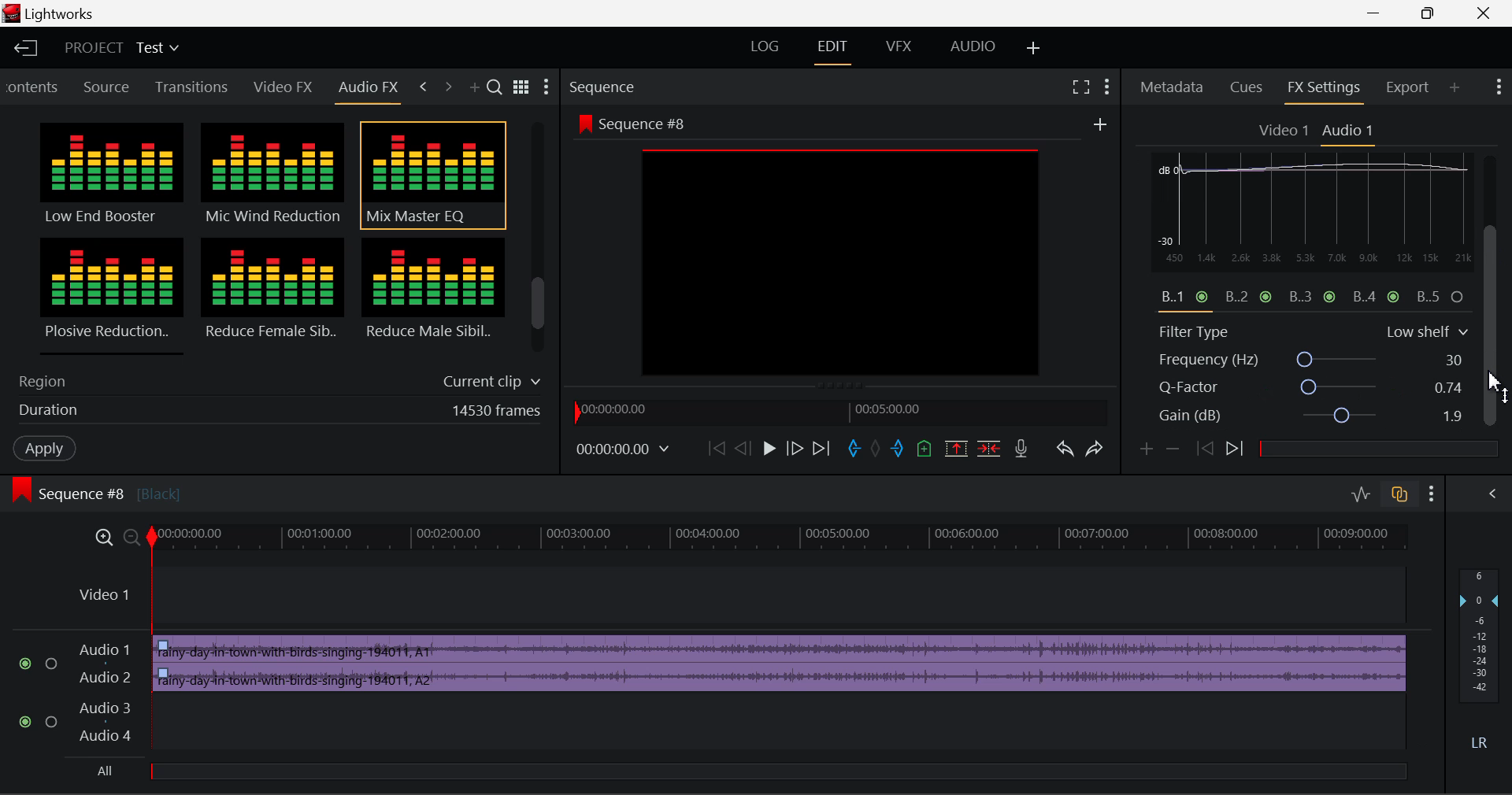 This screenshot has height=795, width=1512. What do you see at coordinates (539, 241) in the screenshot?
I see `Scroll Bar` at bounding box center [539, 241].